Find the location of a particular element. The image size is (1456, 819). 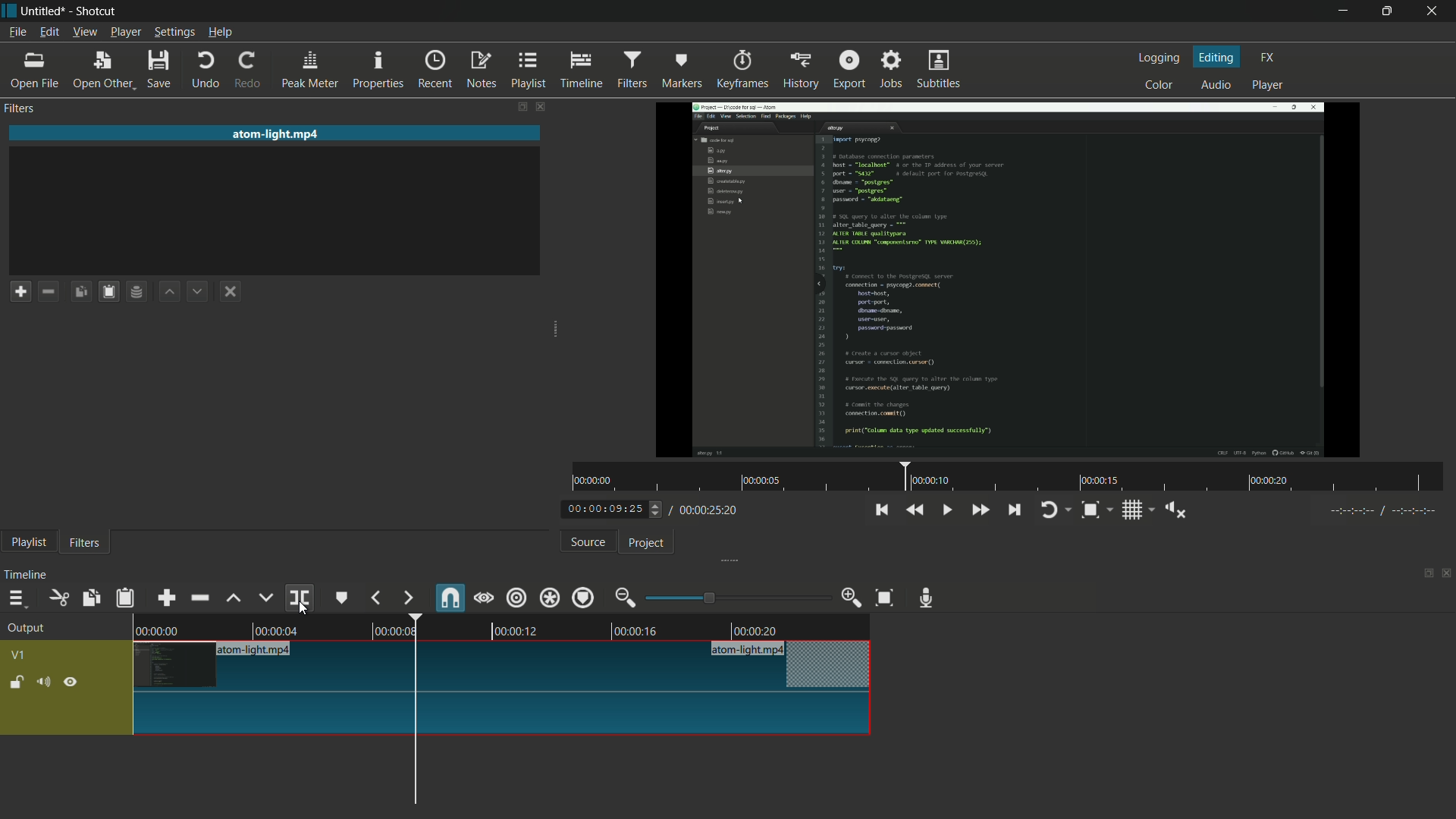

remove a filter is located at coordinates (52, 290).